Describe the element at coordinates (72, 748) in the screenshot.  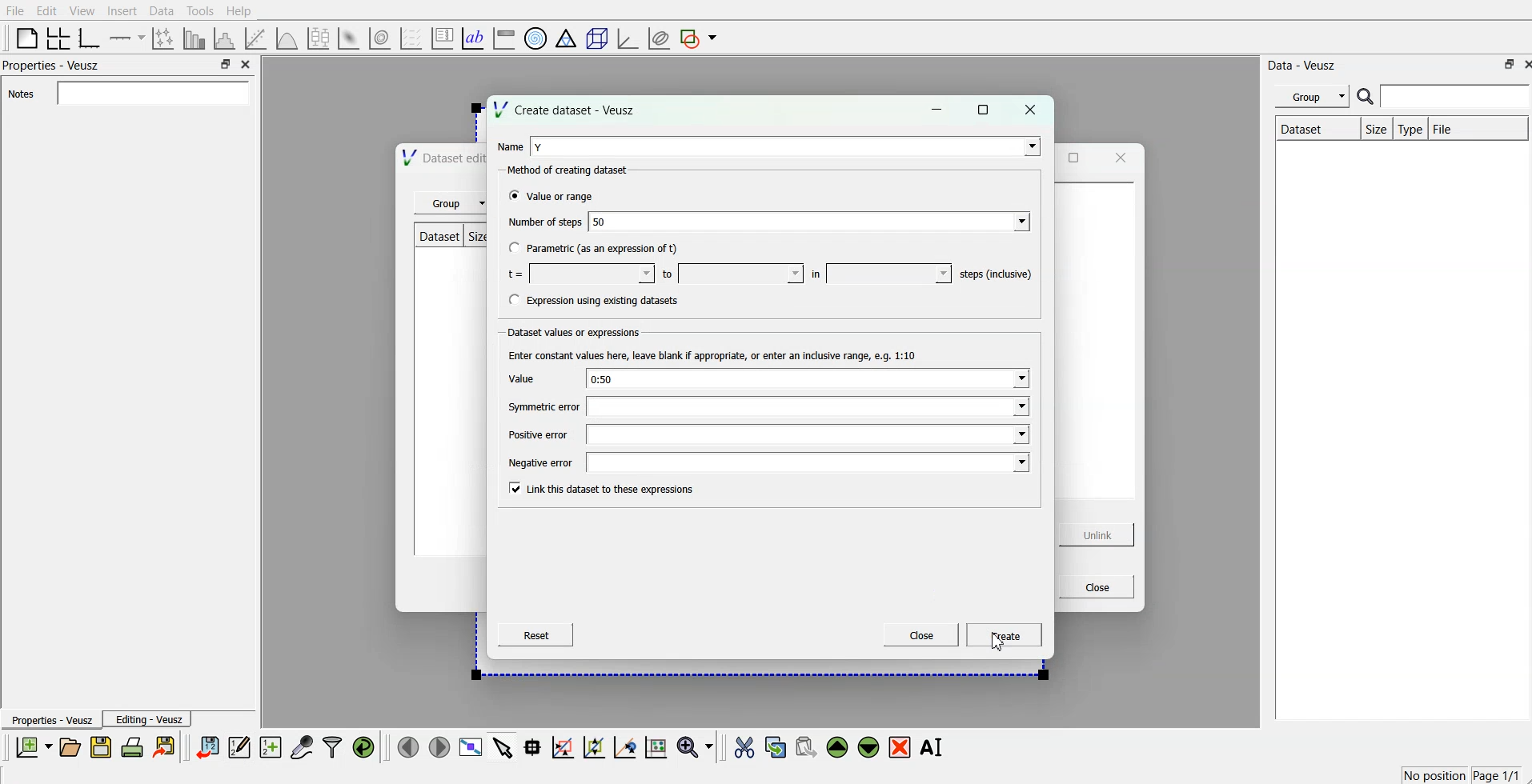
I see `open document` at that location.